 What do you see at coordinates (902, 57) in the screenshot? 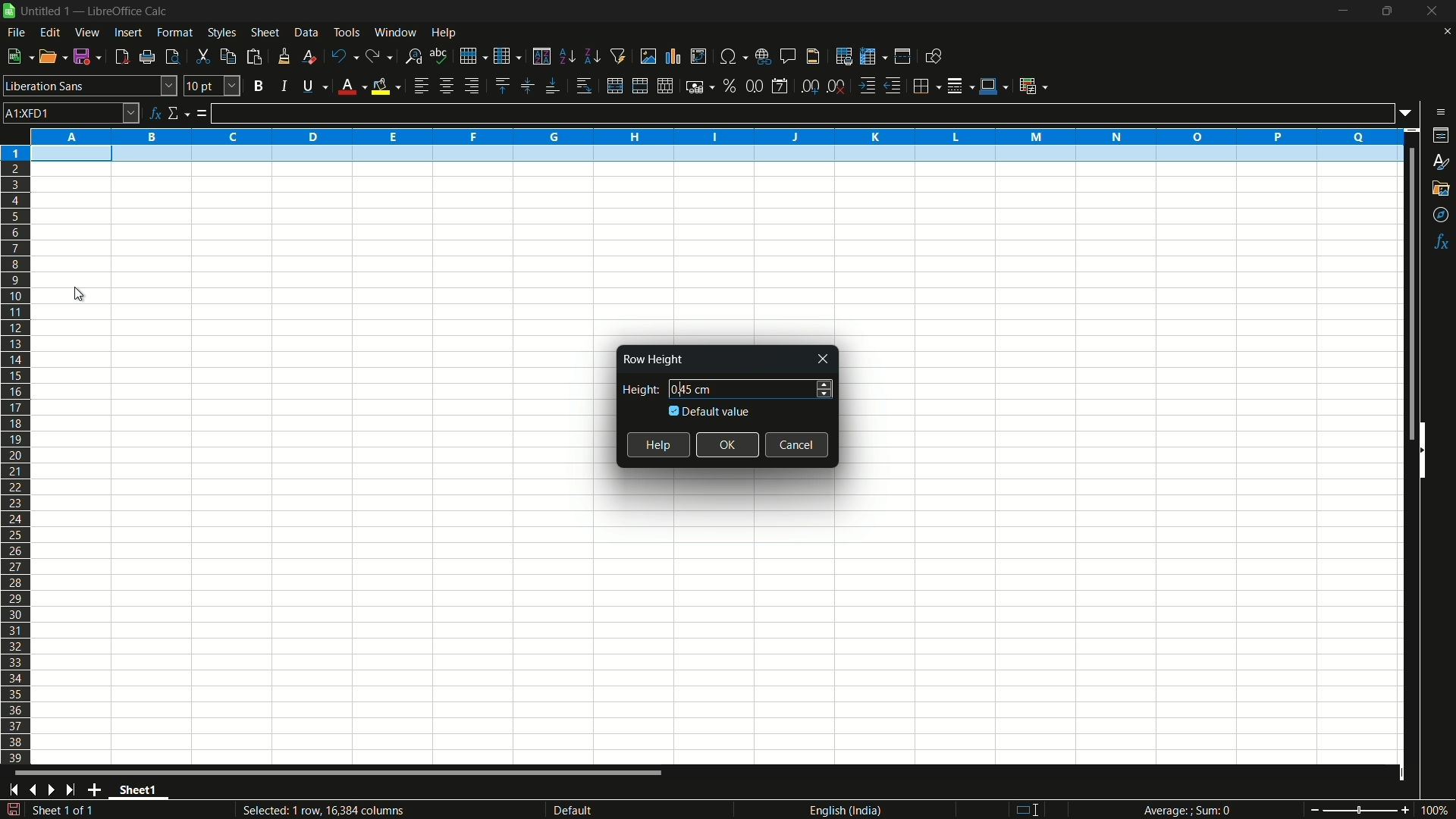
I see `split window` at bounding box center [902, 57].